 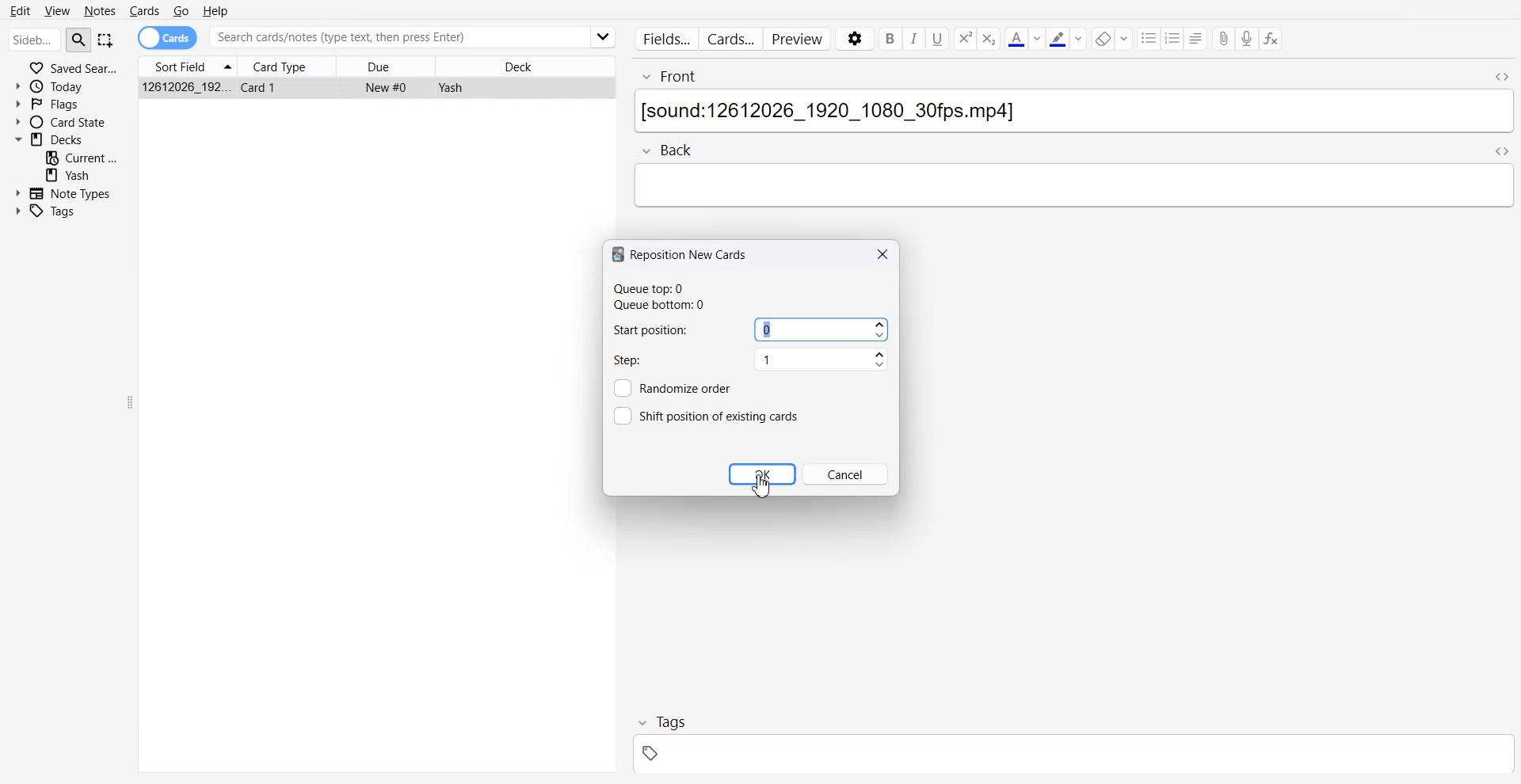 What do you see at coordinates (800, 40) in the screenshot?
I see `Preview` at bounding box center [800, 40].